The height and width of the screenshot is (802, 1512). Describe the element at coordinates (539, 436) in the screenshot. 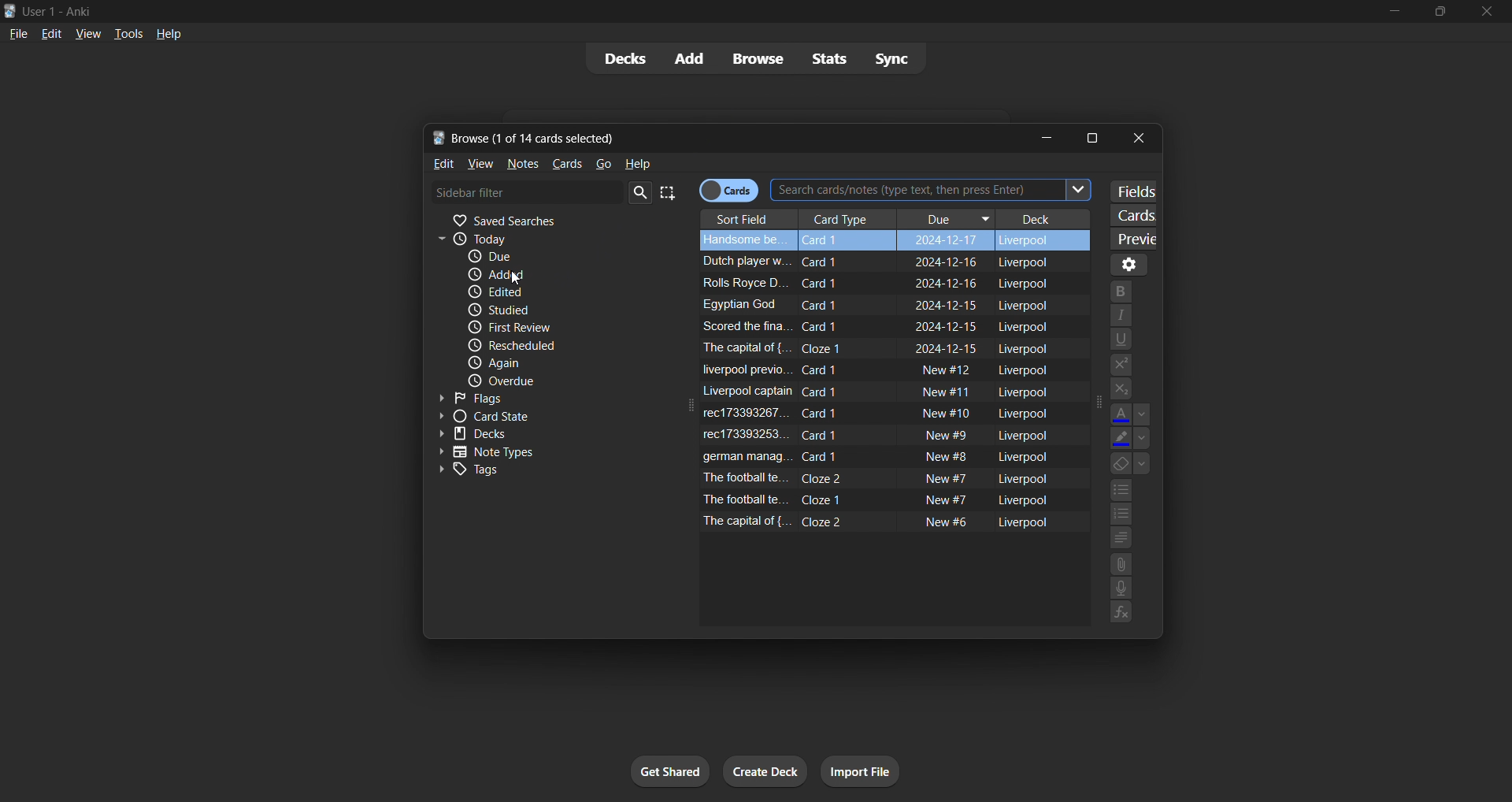

I see `decks filter toggle` at that location.